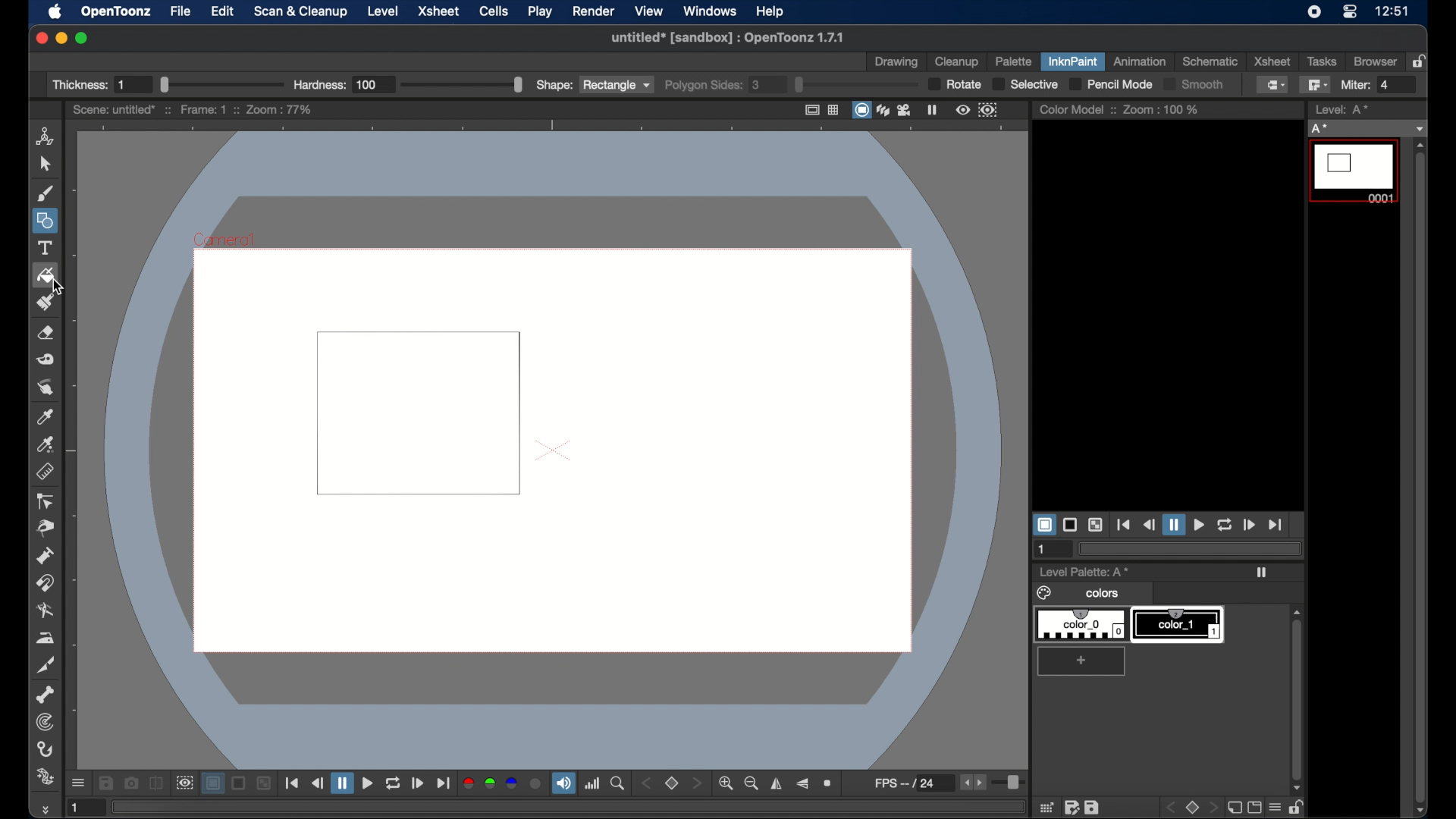  What do you see at coordinates (906, 109) in the screenshot?
I see `camera` at bounding box center [906, 109].